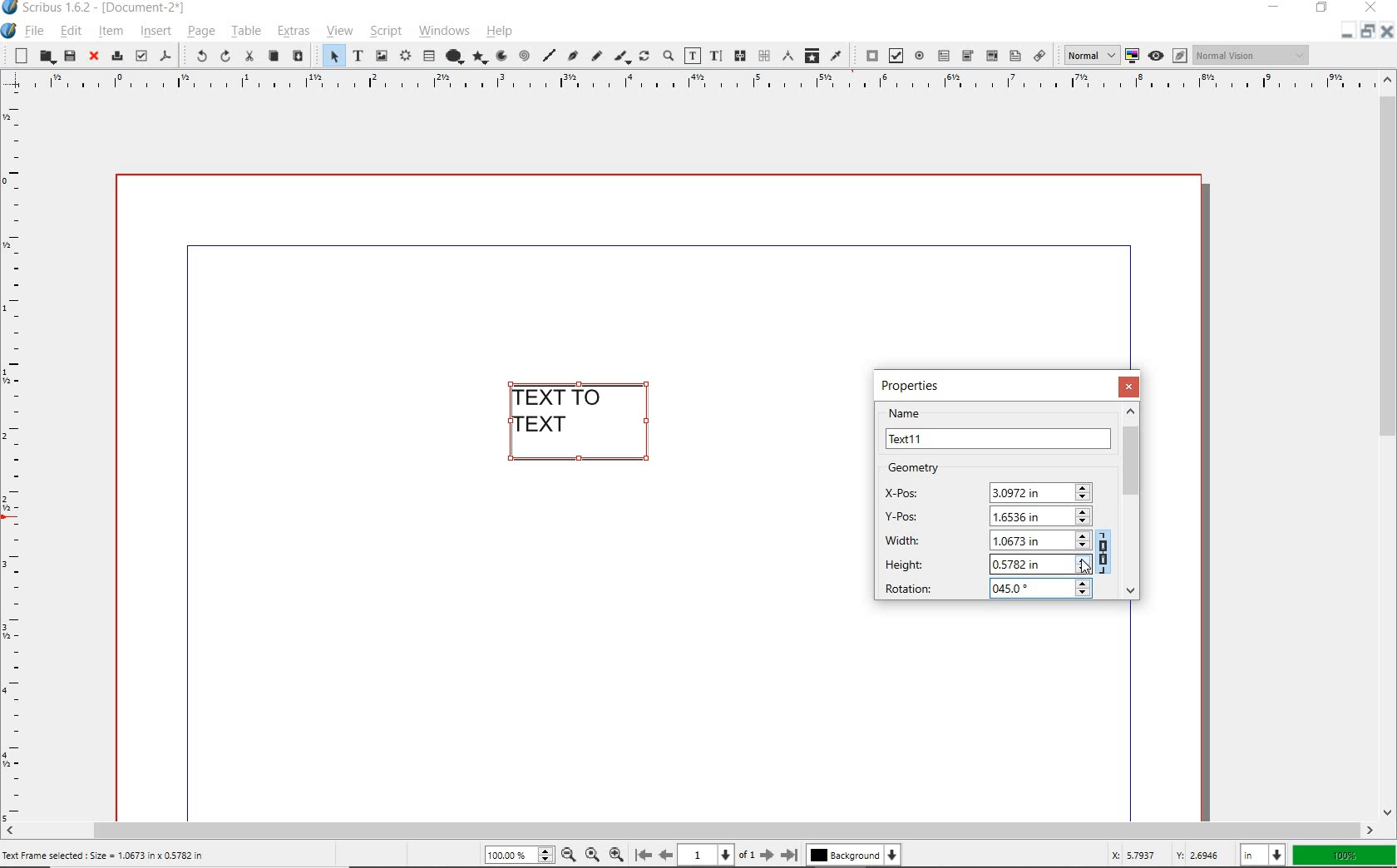 The height and width of the screenshot is (868, 1397). Describe the element at coordinates (72, 31) in the screenshot. I see `edit` at that location.